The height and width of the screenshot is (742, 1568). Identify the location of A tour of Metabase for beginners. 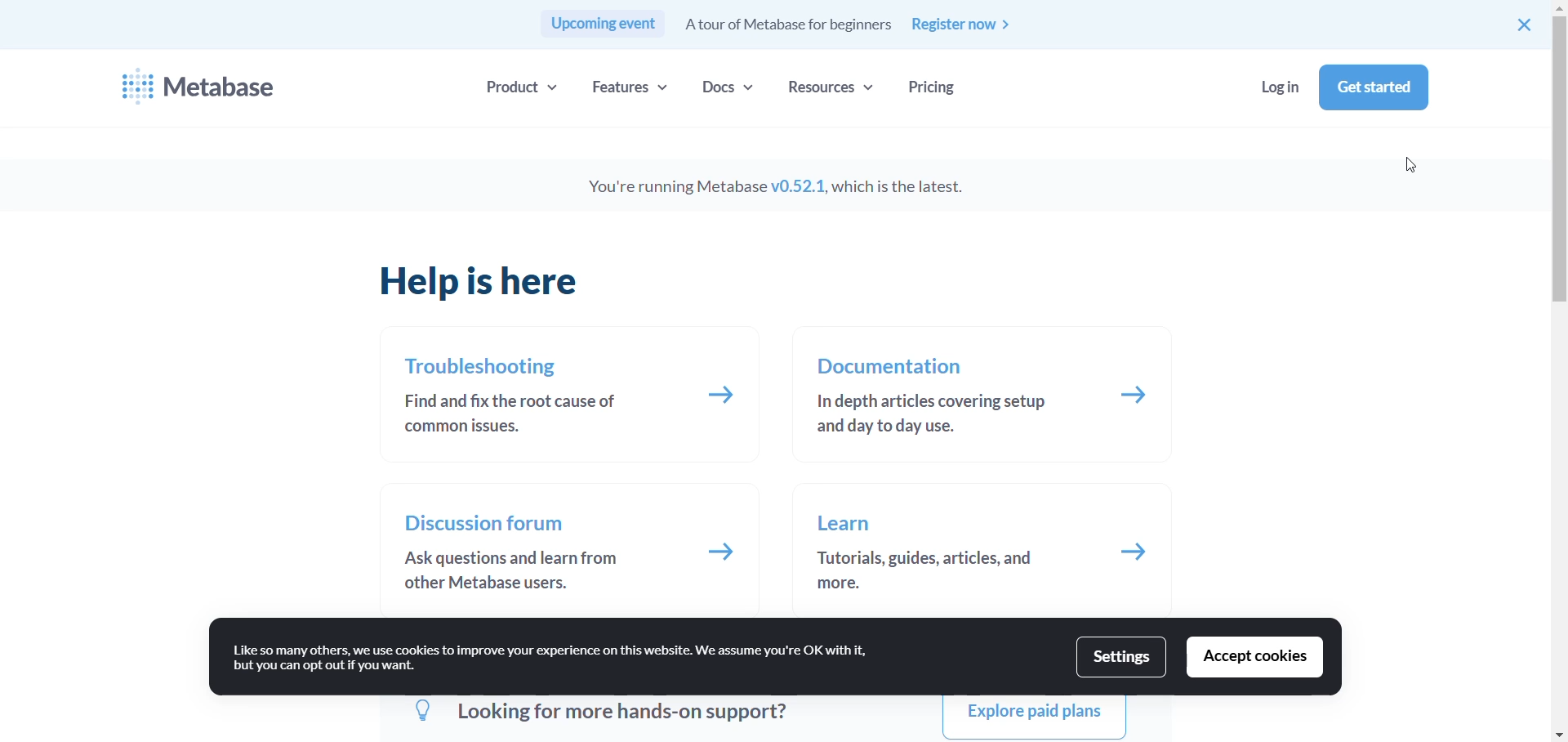
(785, 25).